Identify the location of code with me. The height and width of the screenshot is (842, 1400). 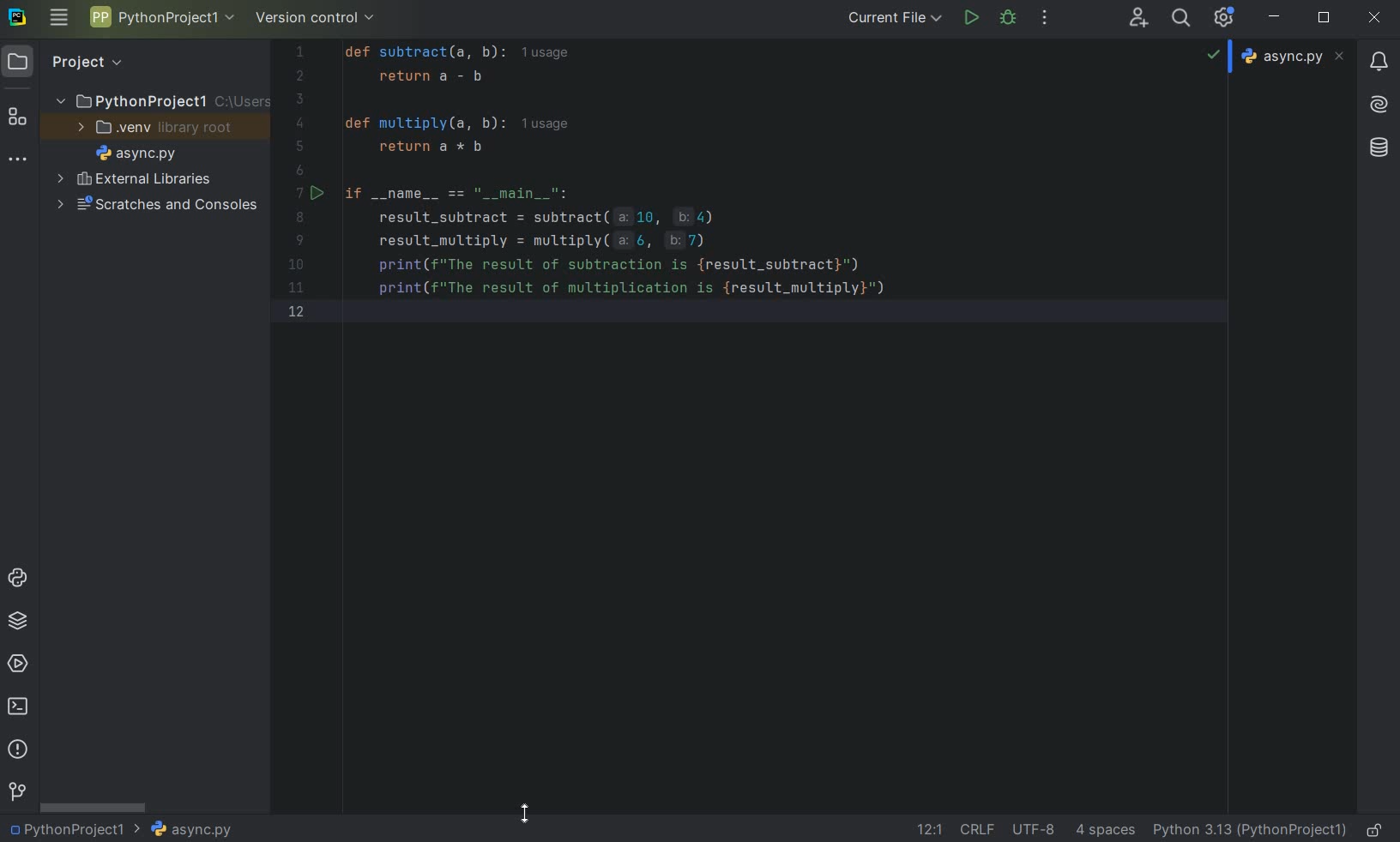
(709, 189).